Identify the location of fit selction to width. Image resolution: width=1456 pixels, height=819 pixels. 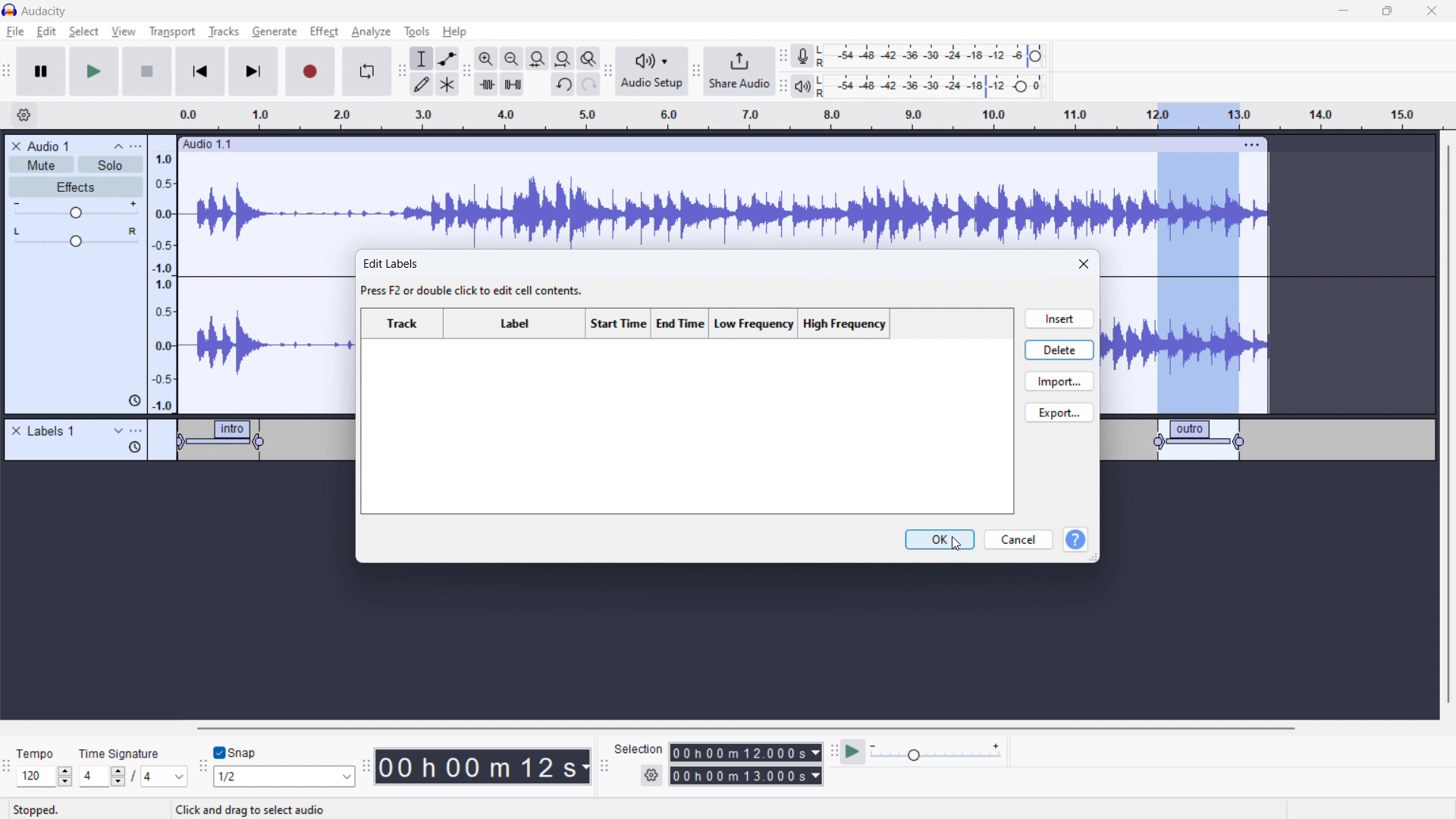
(538, 59).